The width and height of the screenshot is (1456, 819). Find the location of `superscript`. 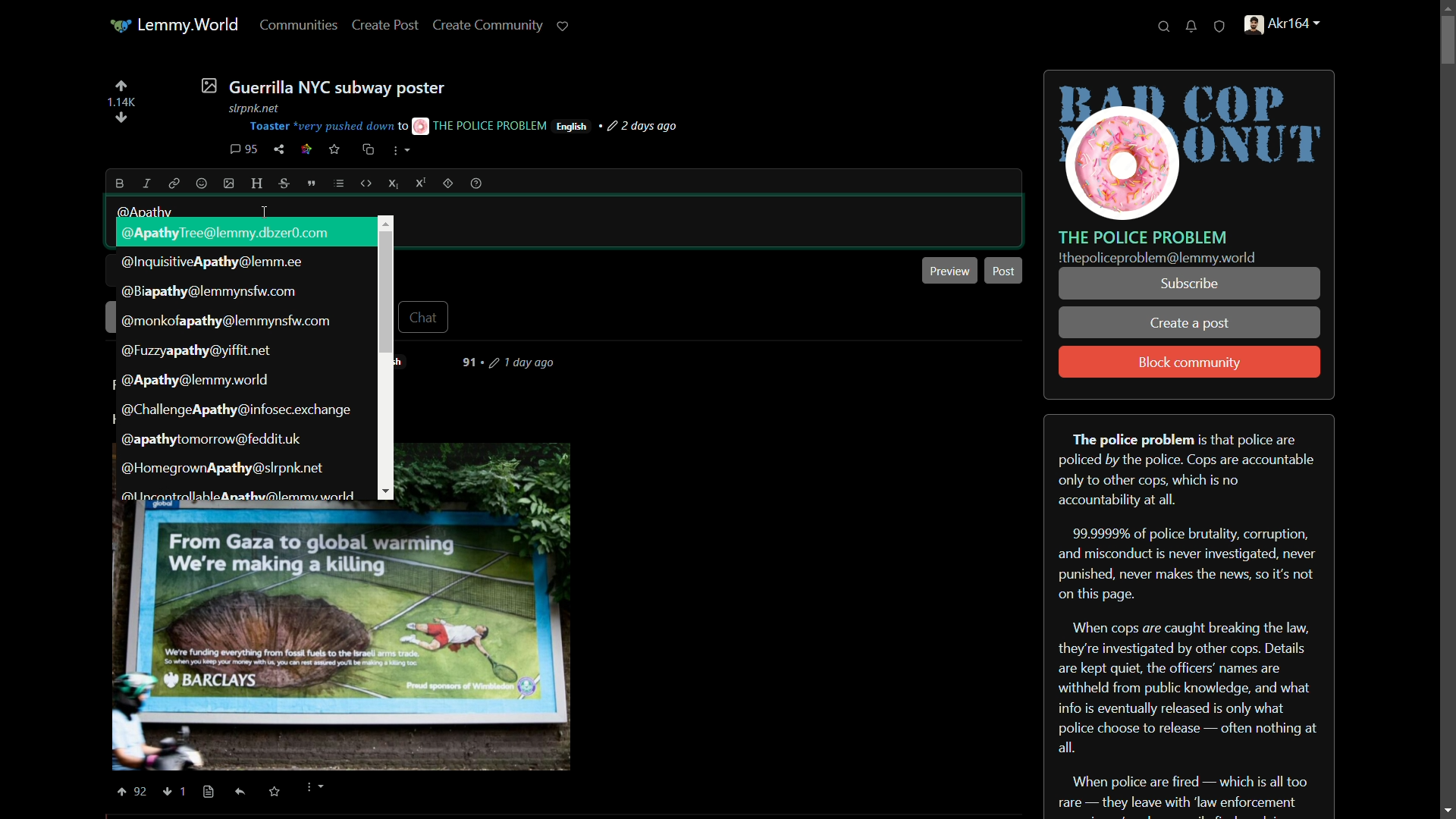

superscript is located at coordinates (421, 183).